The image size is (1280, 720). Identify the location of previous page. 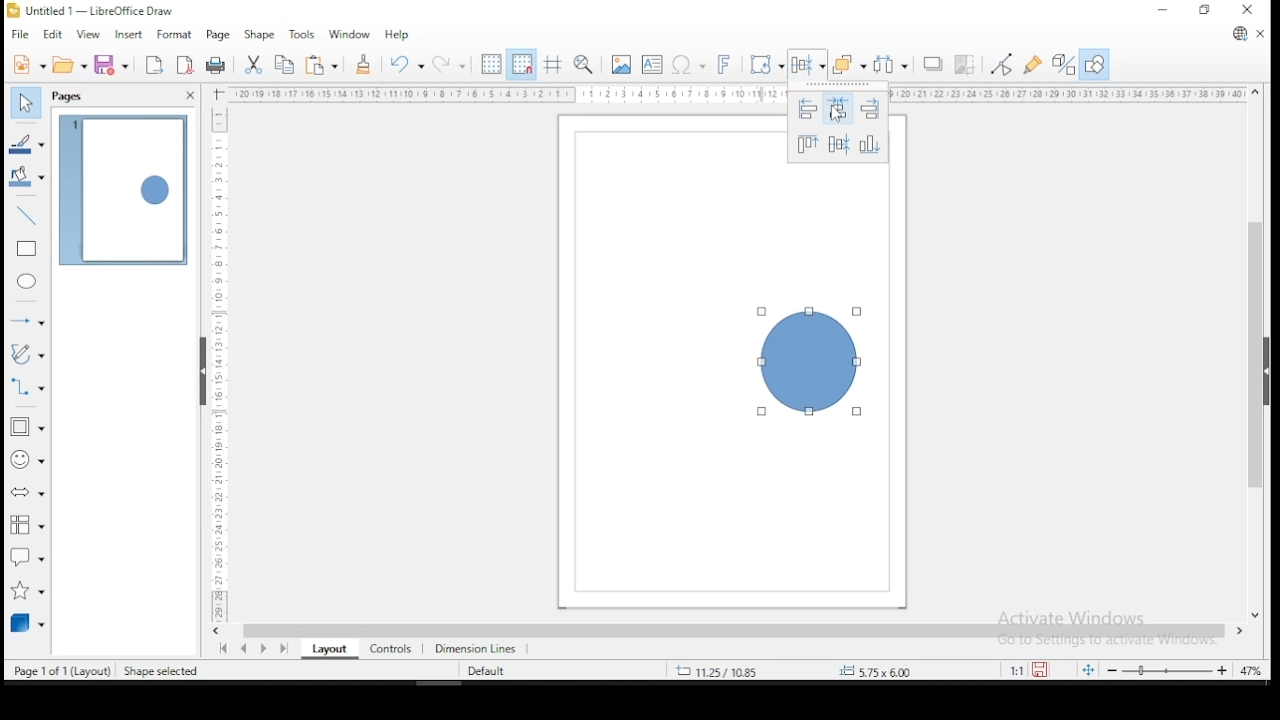
(247, 648).